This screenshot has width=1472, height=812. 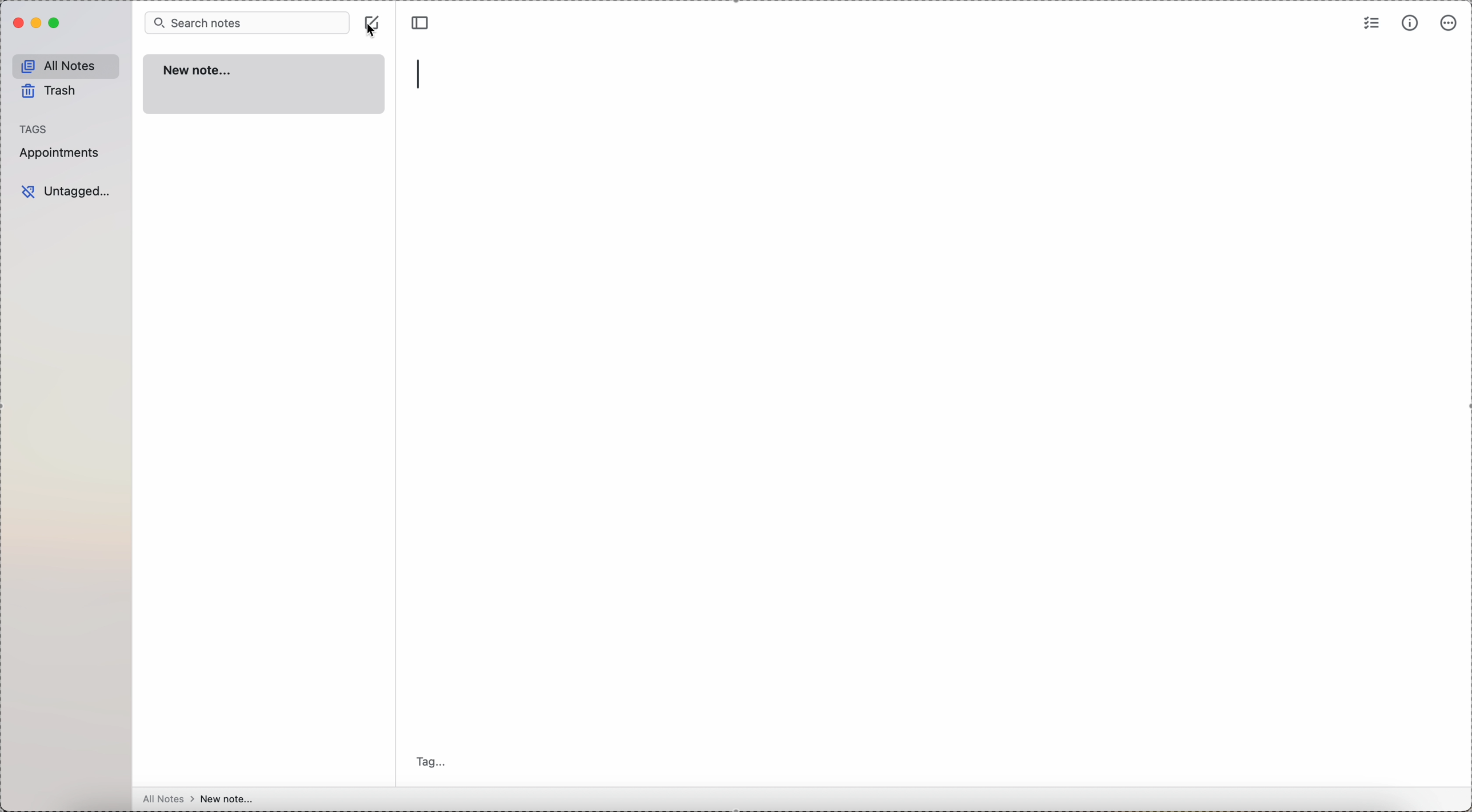 I want to click on all notes, so click(x=66, y=66).